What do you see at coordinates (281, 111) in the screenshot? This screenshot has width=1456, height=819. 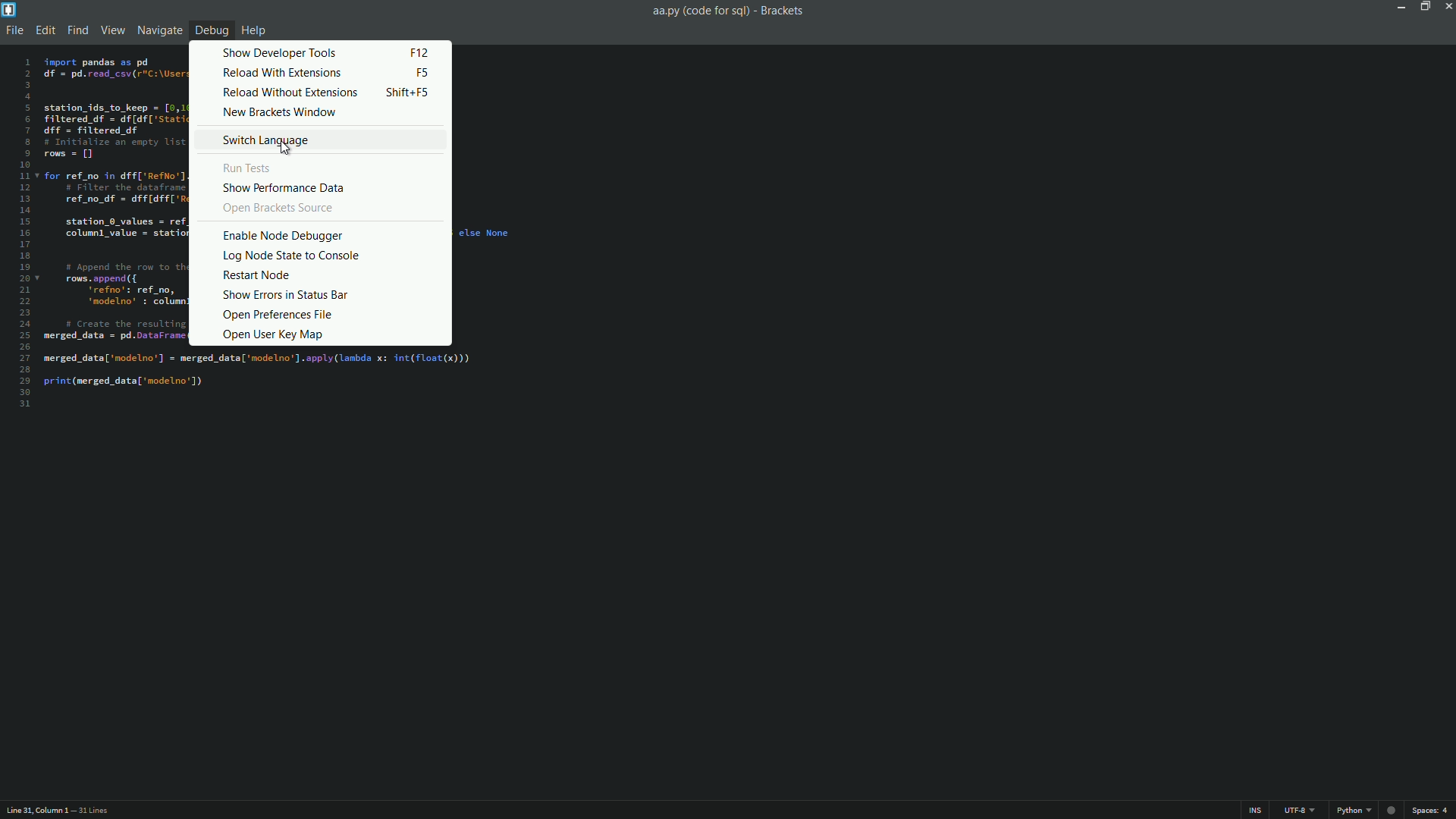 I see `new brackets window` at bounding box center [281, 111].